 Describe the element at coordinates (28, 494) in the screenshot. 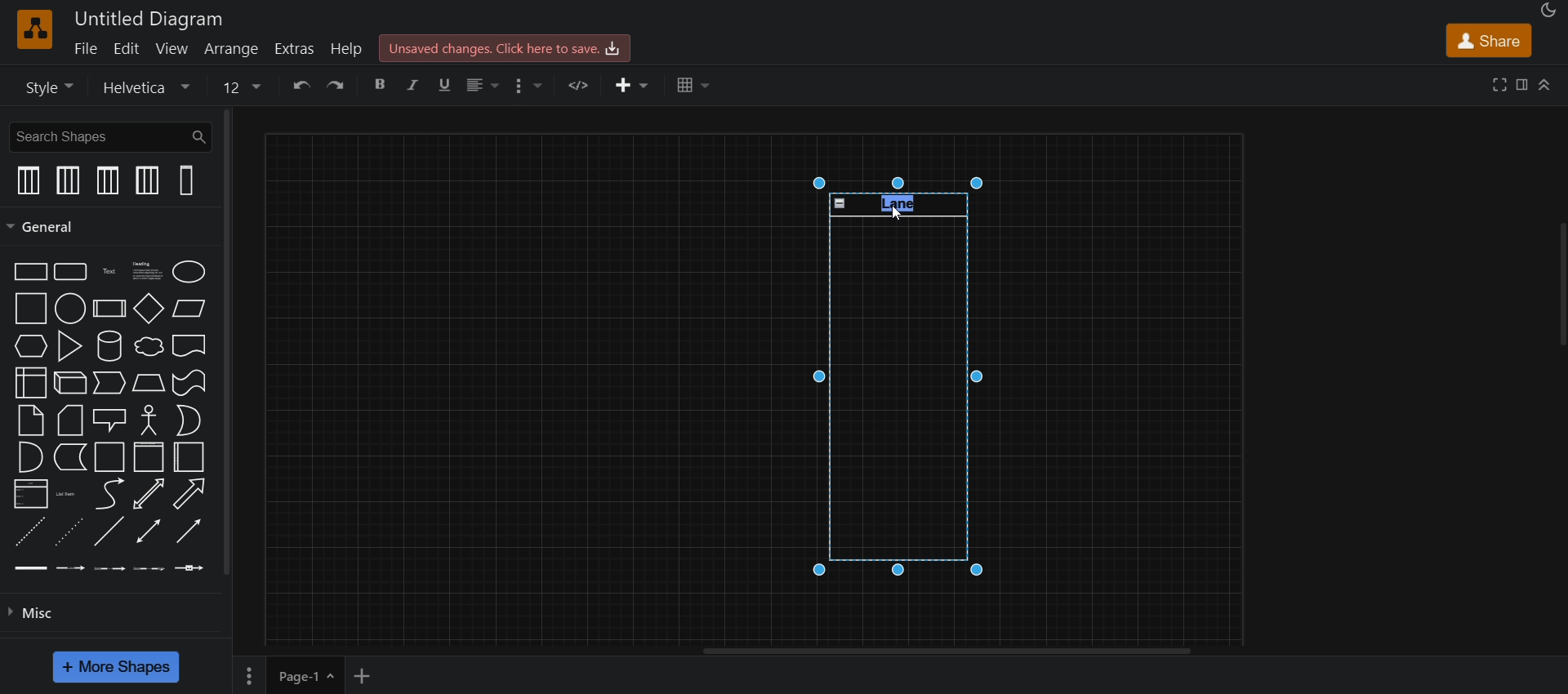

I see `list` at that location.